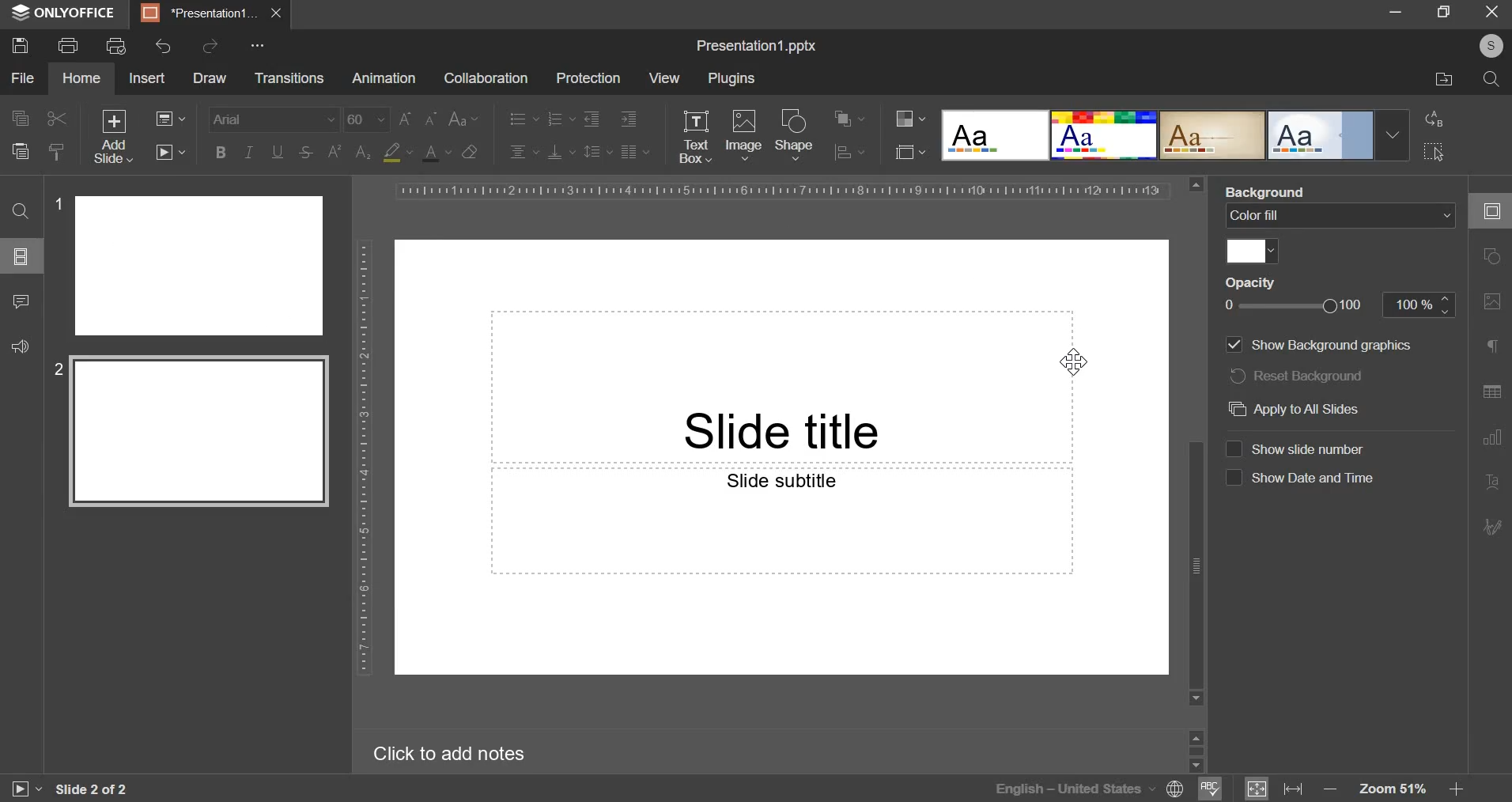 The height and width of the screenshot is (802, 1512). I want to click on protection, so click(588, 78).